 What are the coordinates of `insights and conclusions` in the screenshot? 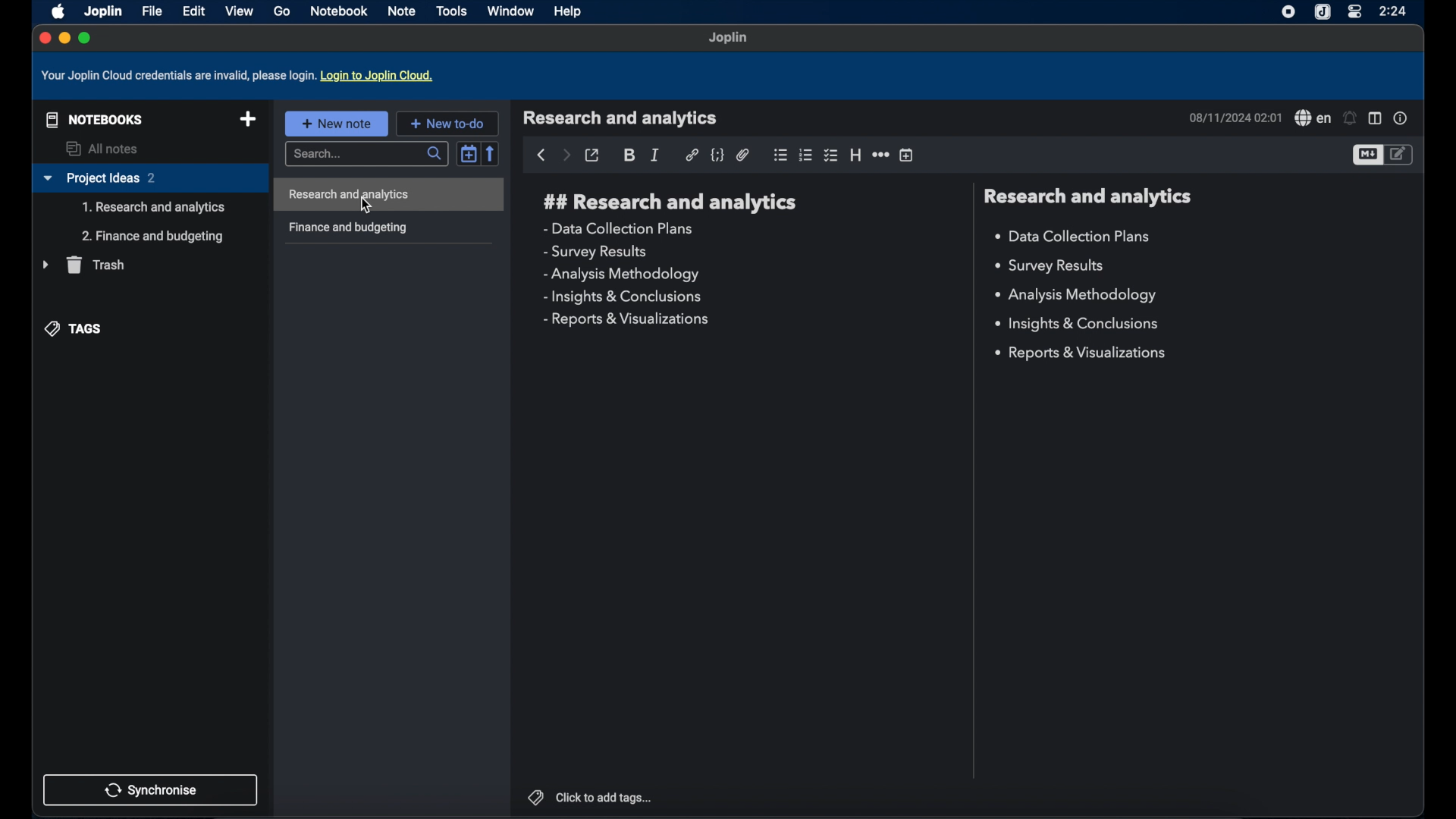 It's located at (624, 297).